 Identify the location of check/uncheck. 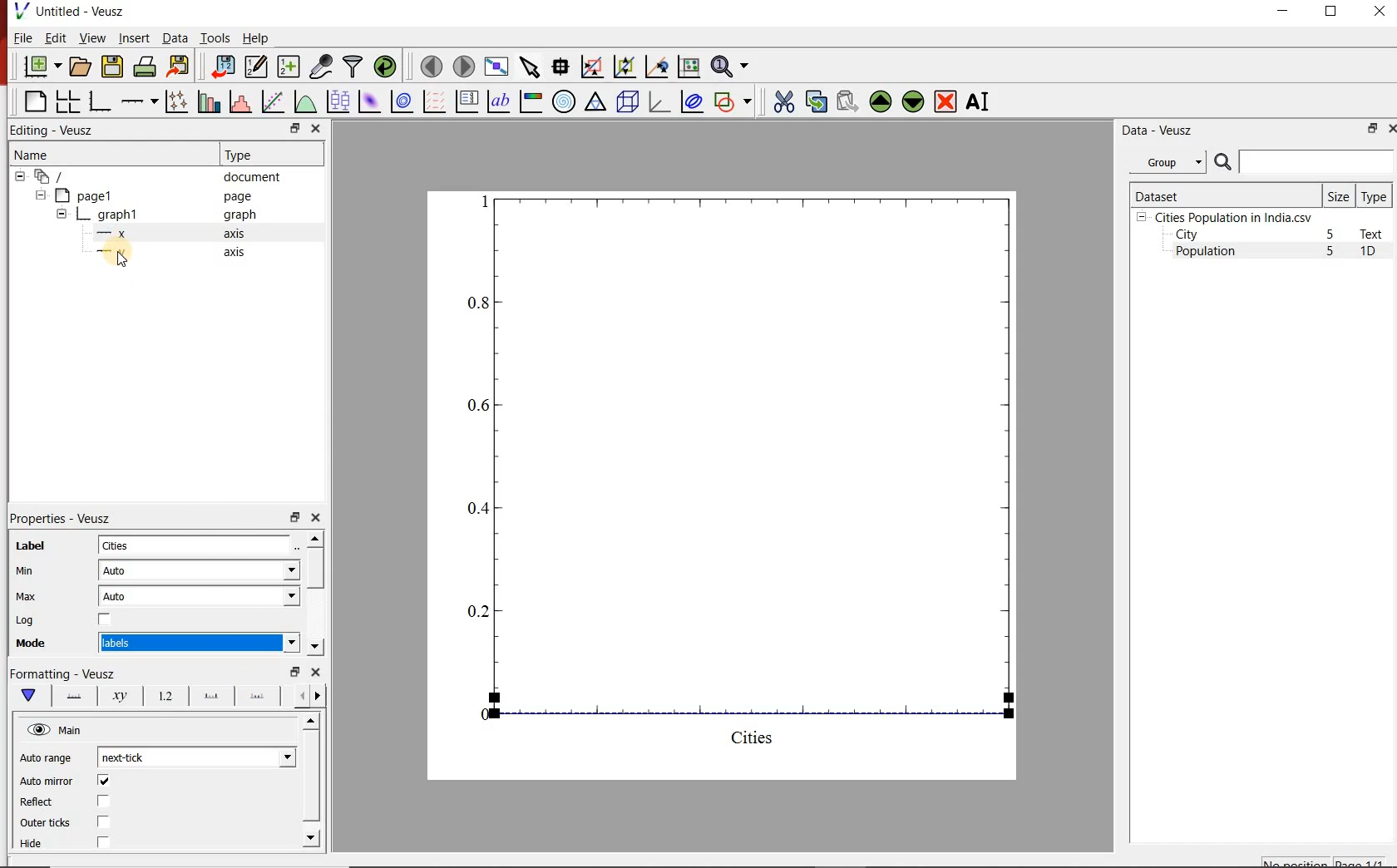
(103, 823).